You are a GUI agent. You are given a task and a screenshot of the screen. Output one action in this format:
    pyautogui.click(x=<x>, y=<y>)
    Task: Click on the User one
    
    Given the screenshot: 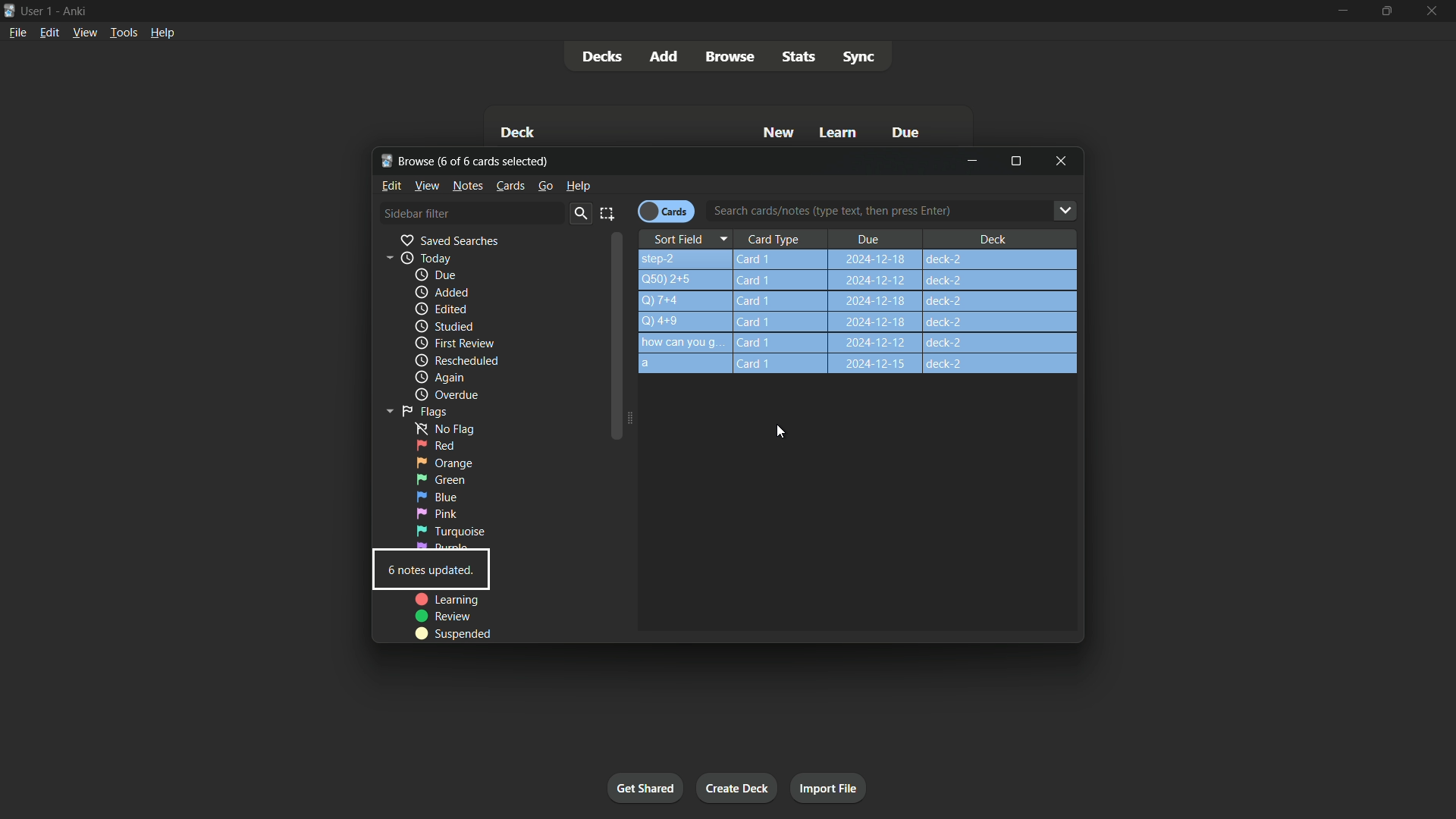 What is the action you would take?
    pyautogui.click(x=37, y=11)
    